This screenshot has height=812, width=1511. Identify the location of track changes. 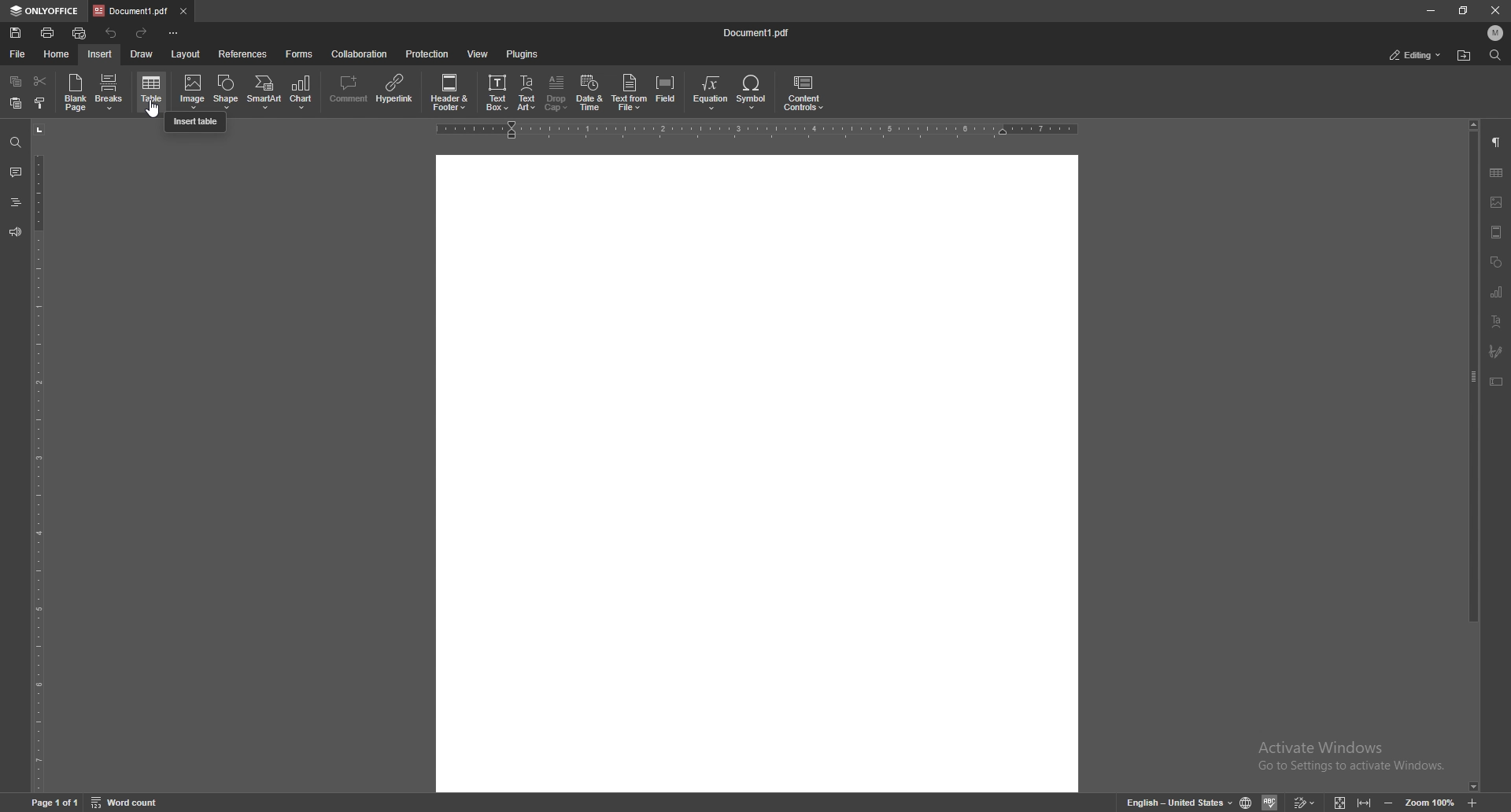
(1306, 803).